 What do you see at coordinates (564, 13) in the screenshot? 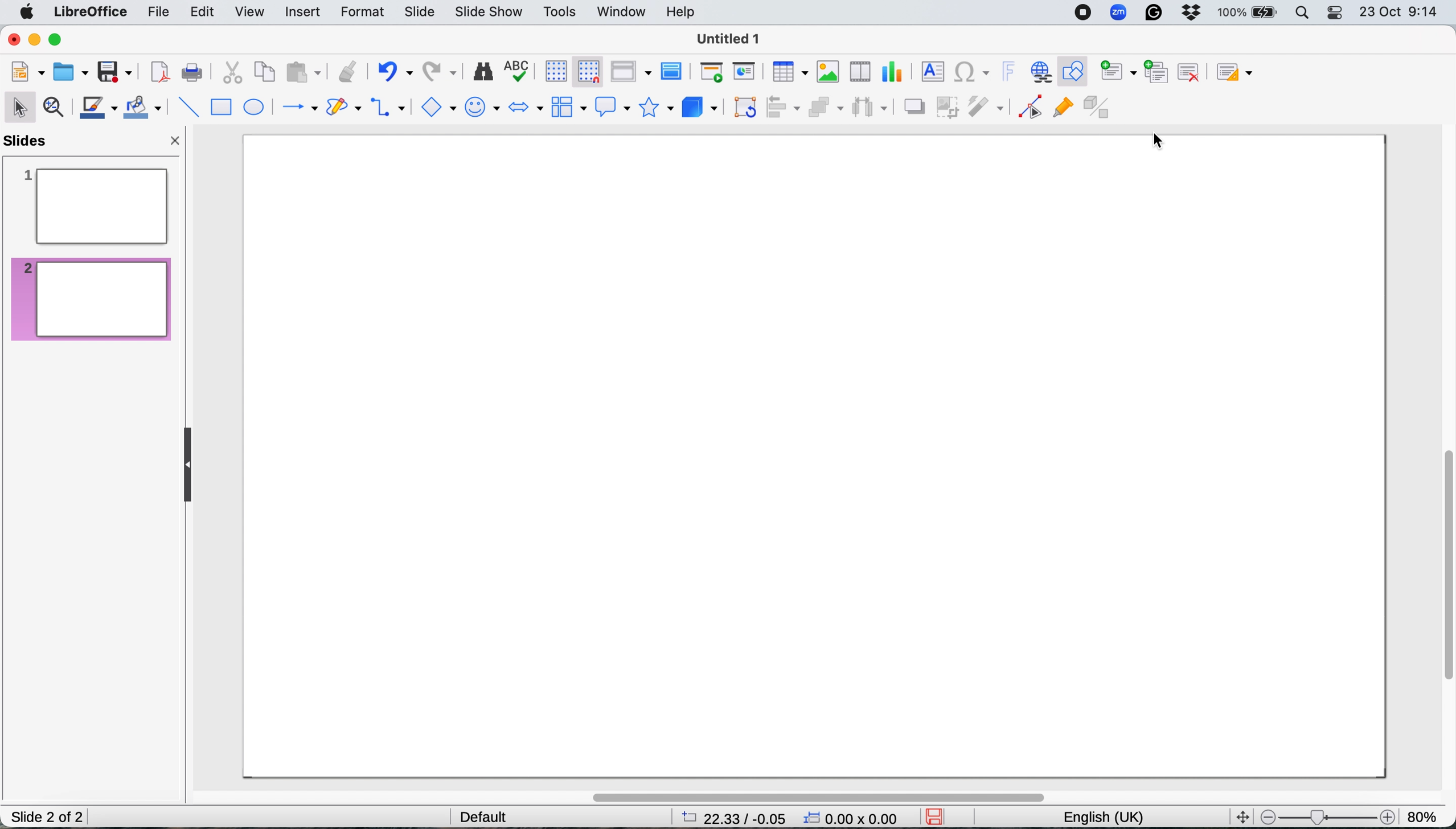
I see `tools` at bounding box center [564, 13].